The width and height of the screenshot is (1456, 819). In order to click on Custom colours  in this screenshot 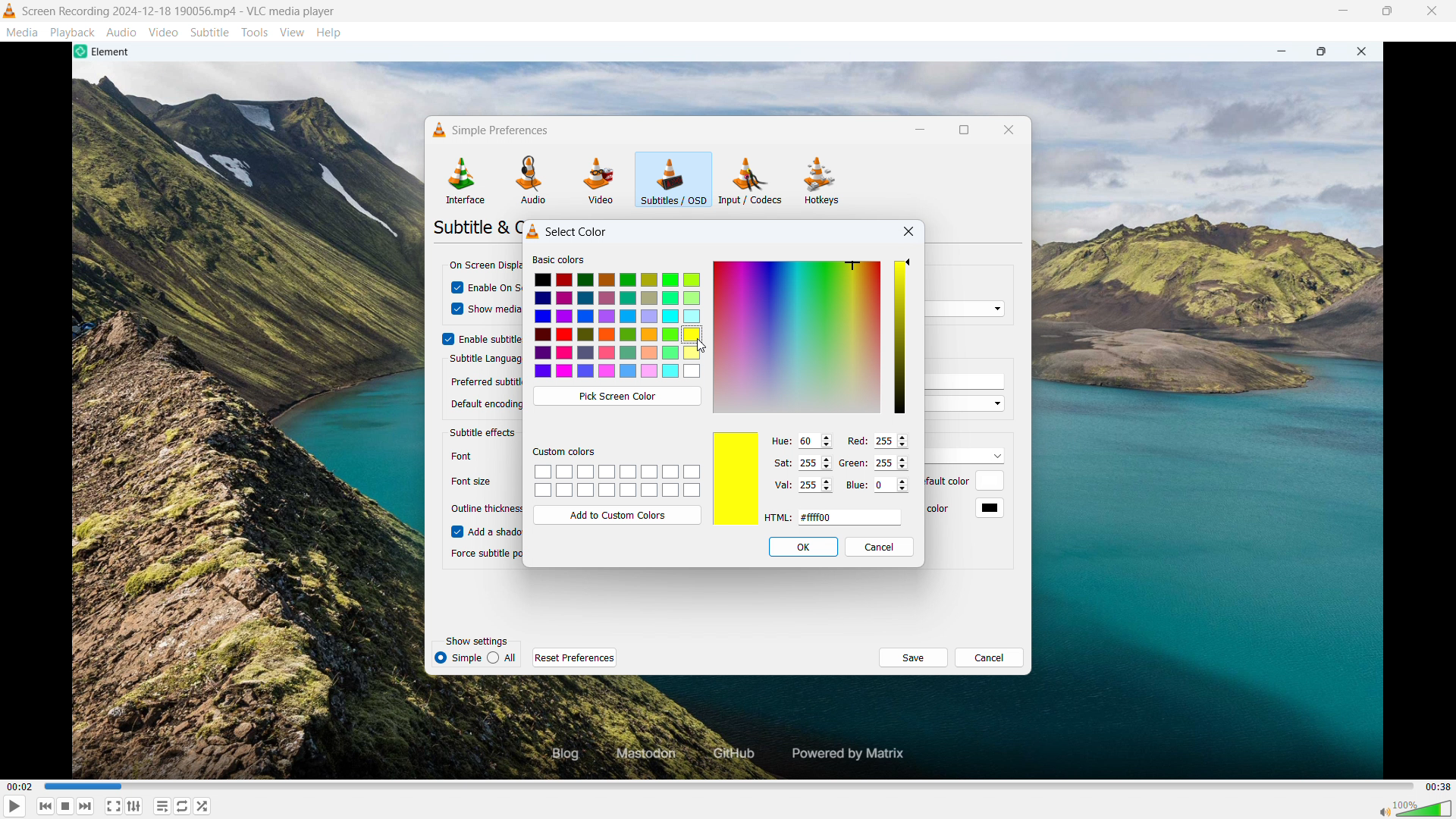, I will do `click(566, 452)`.